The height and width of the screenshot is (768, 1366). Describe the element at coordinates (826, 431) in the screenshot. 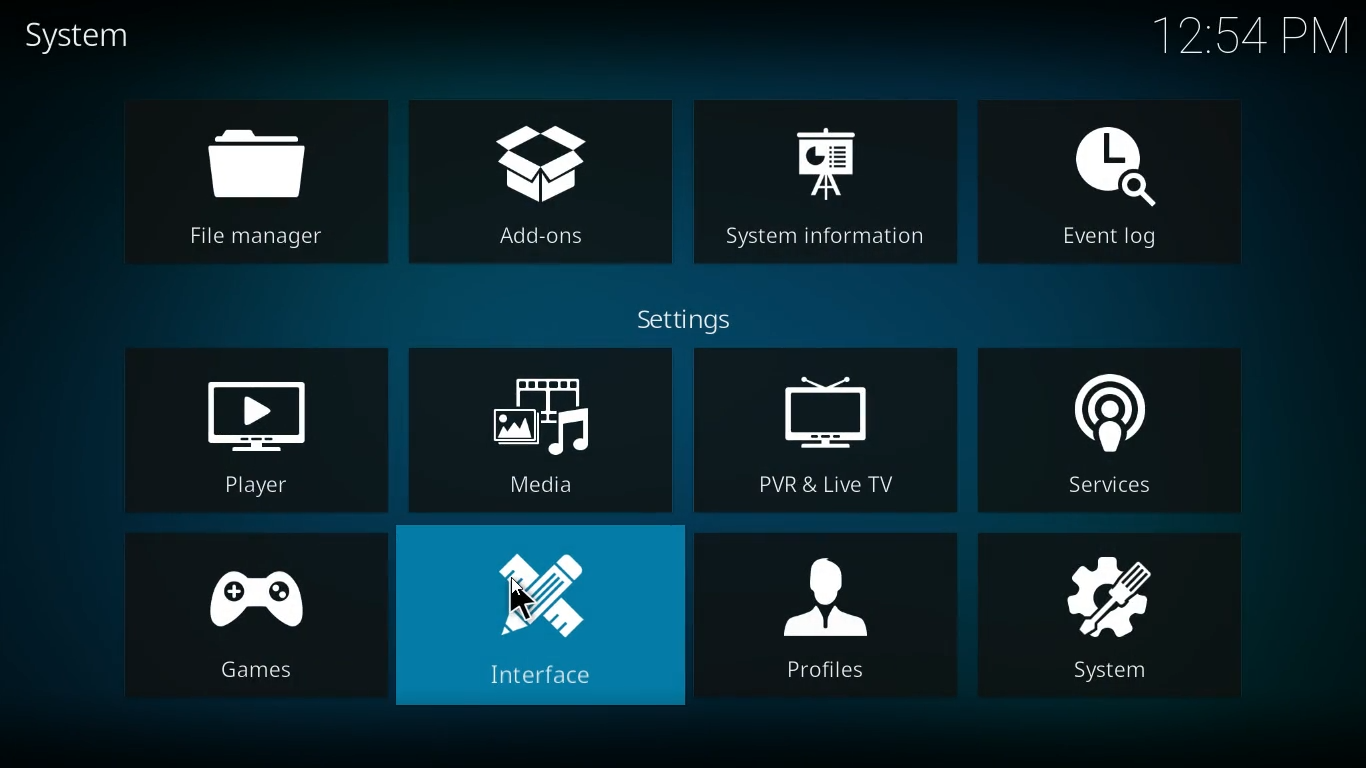

I see `pvr & live tv` at that location.